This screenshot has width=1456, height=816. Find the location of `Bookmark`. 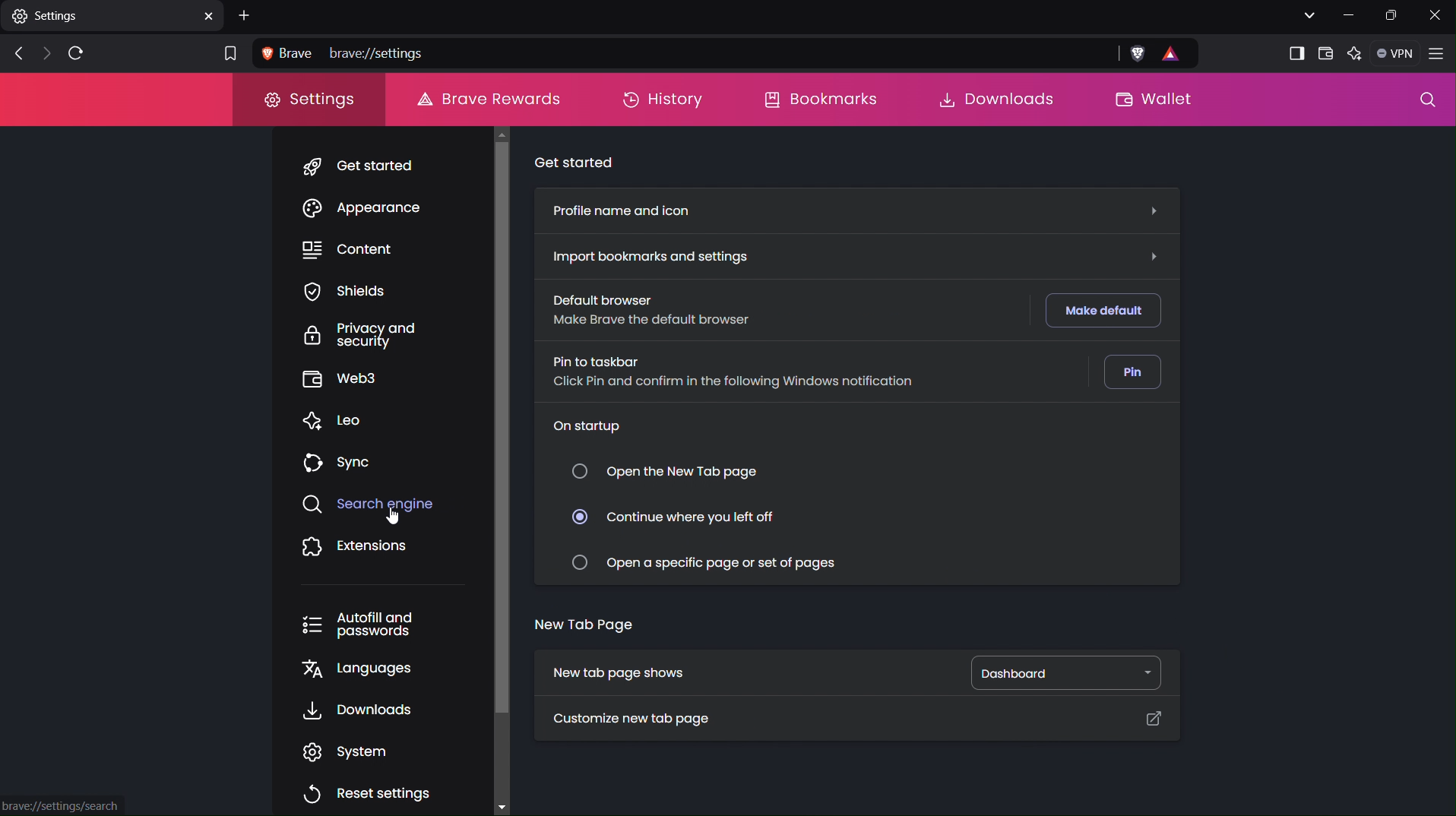

Bookmark is located at coordinates (228, 52).